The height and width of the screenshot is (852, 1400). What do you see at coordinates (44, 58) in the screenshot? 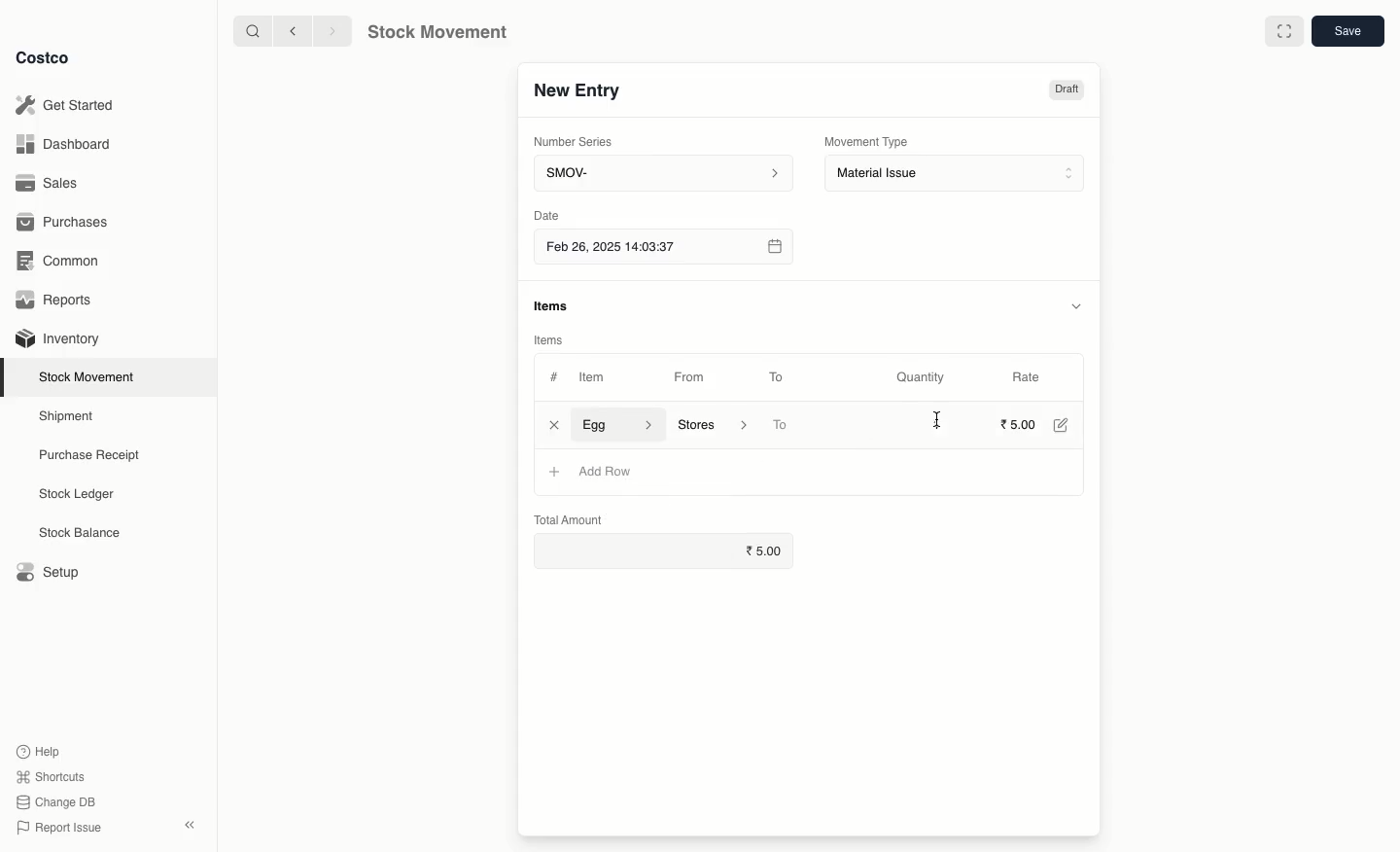
I see `Costco` at bounding box center [44, 58].